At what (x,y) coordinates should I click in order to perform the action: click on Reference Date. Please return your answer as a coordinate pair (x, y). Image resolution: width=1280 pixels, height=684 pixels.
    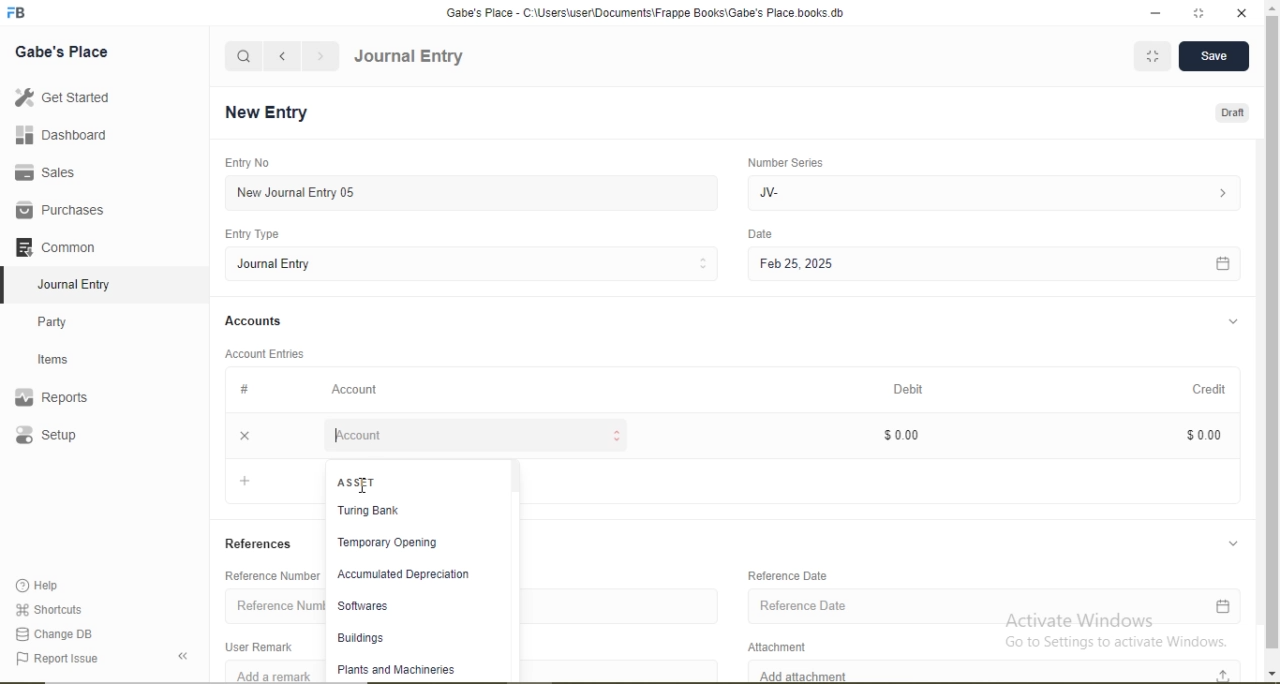
    Looking at the image, I should click on (999, 605).